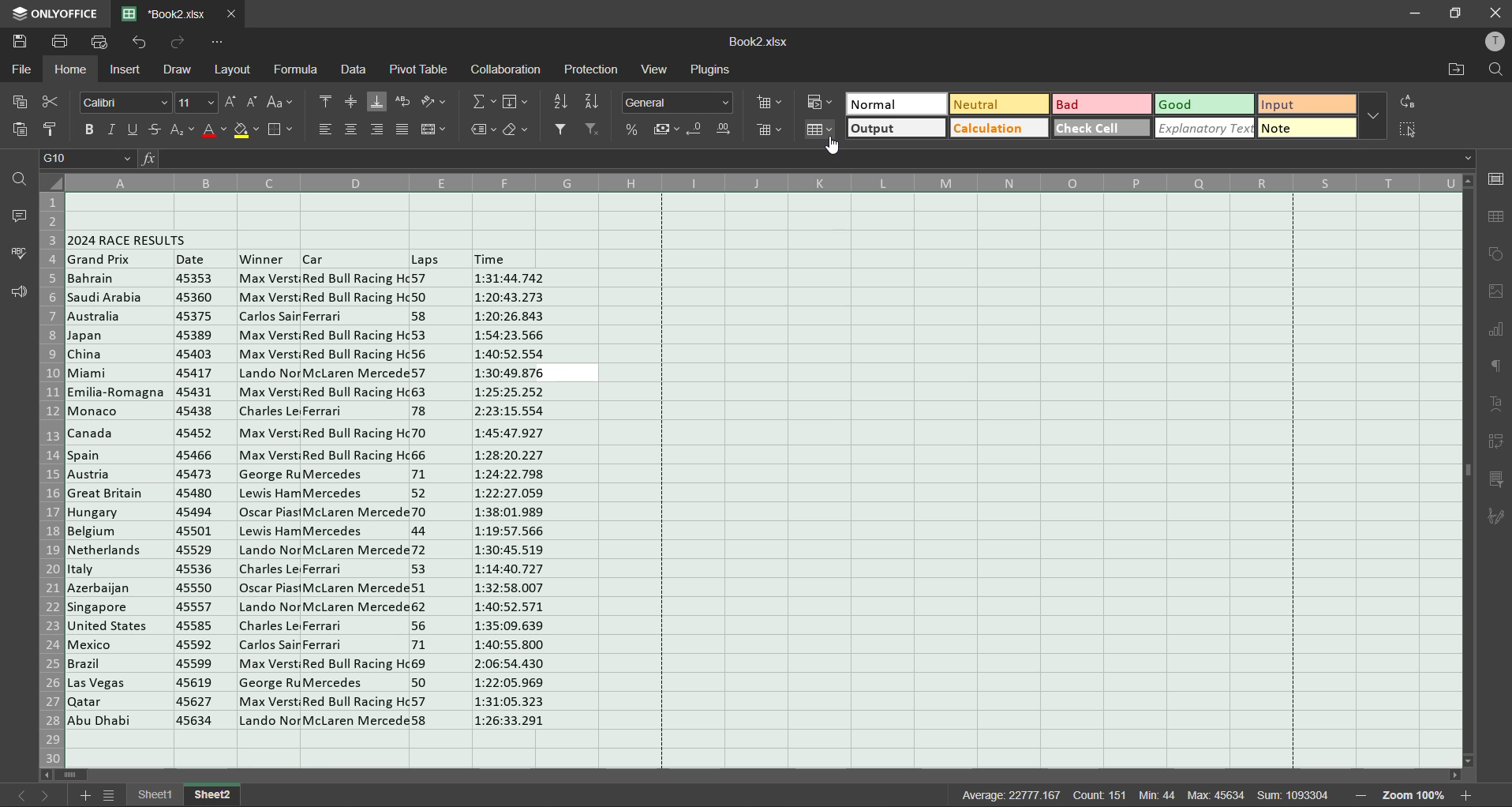 This screenshot has width=1512, height=807. What do you see at coordinates (563, 129) in the screenshot?
I see `filter` at bounding box center [563, 129].